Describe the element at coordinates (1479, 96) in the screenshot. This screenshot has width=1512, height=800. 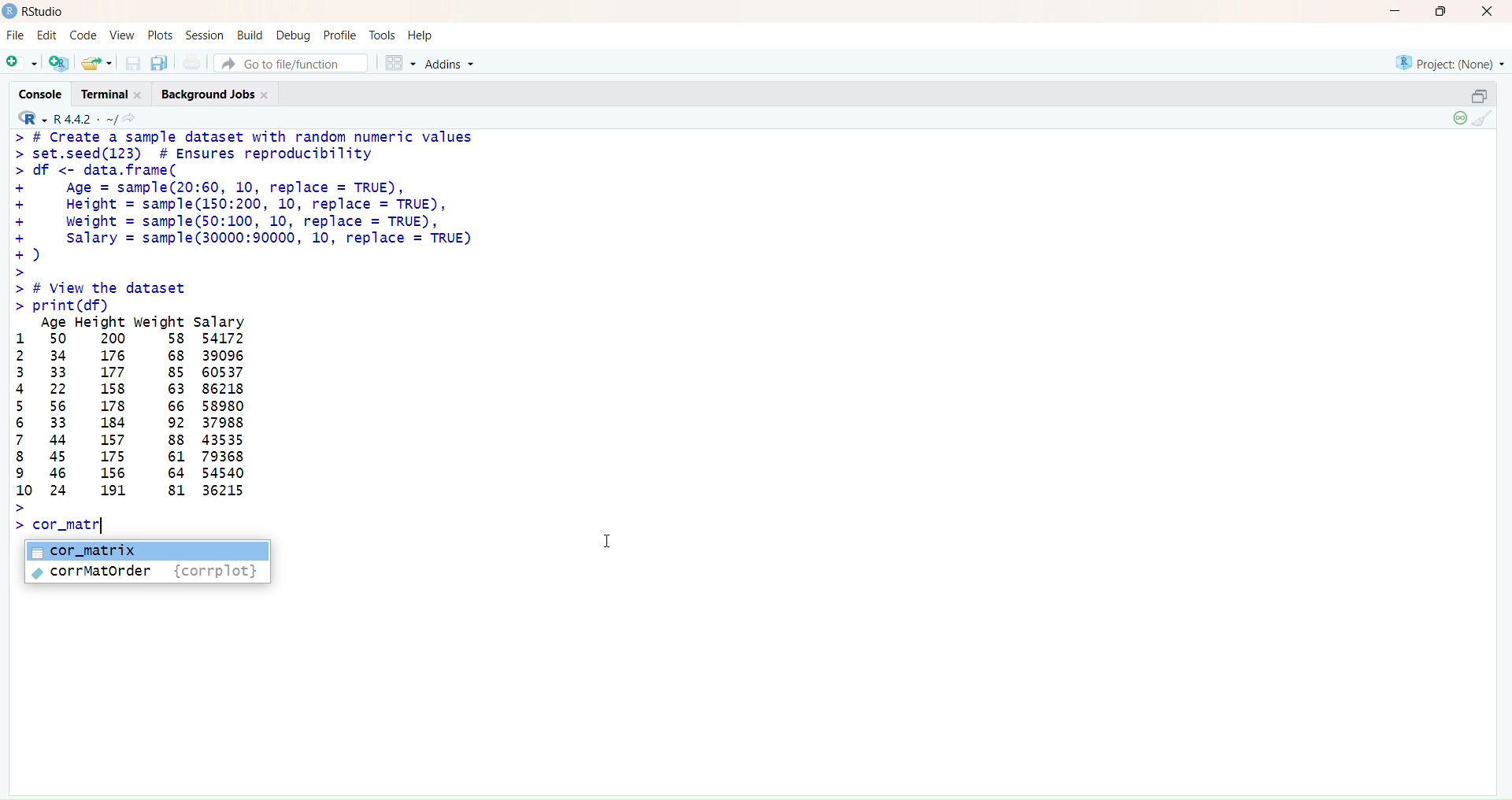
I see `Restore` at that location.